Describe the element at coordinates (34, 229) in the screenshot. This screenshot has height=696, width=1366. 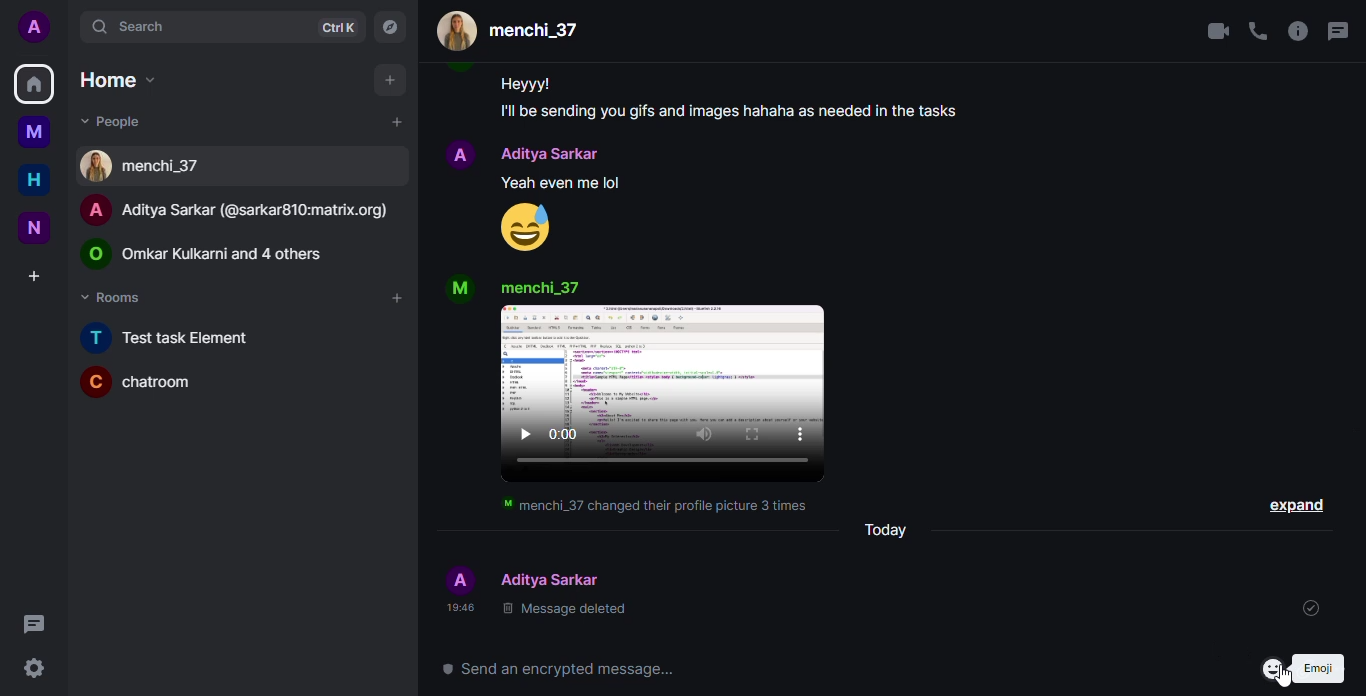
I see `new` at that location.